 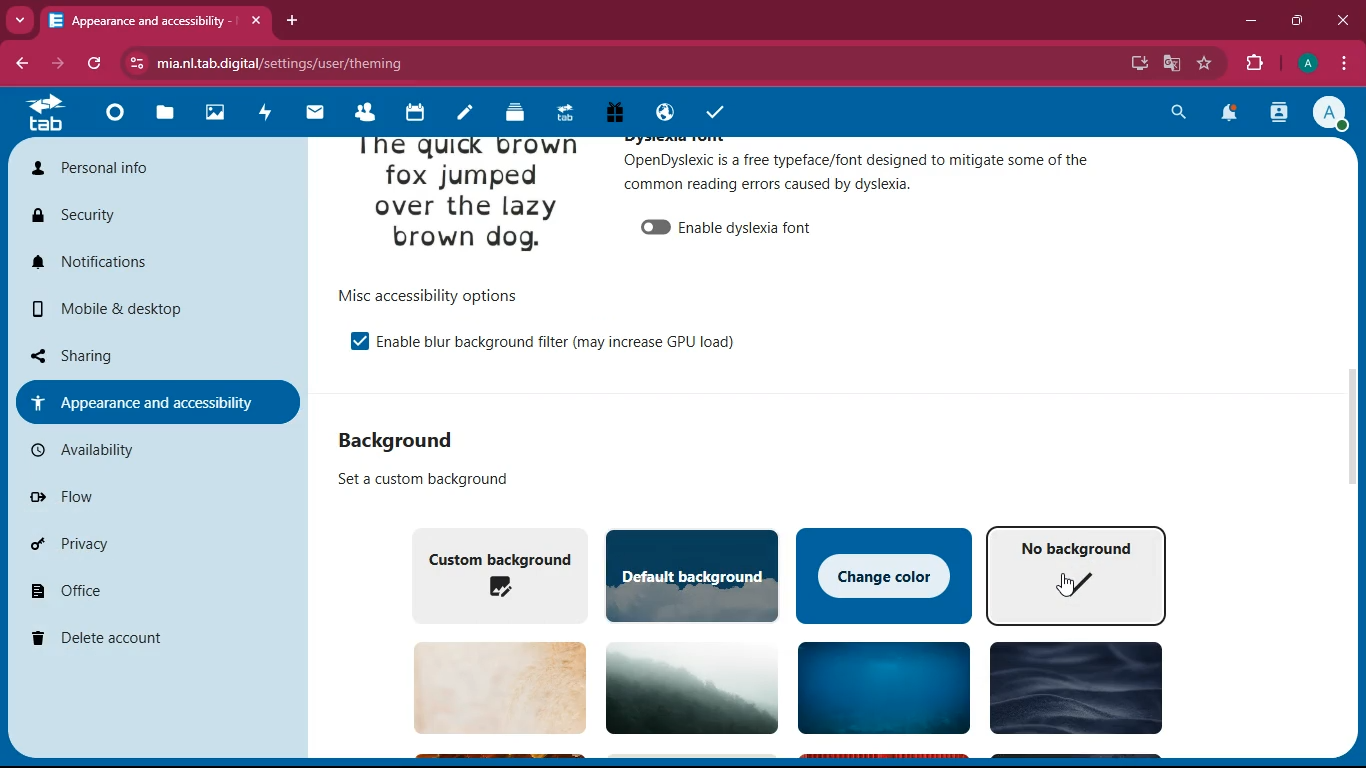 I want to click on notifications, so click(x=157, y=264).